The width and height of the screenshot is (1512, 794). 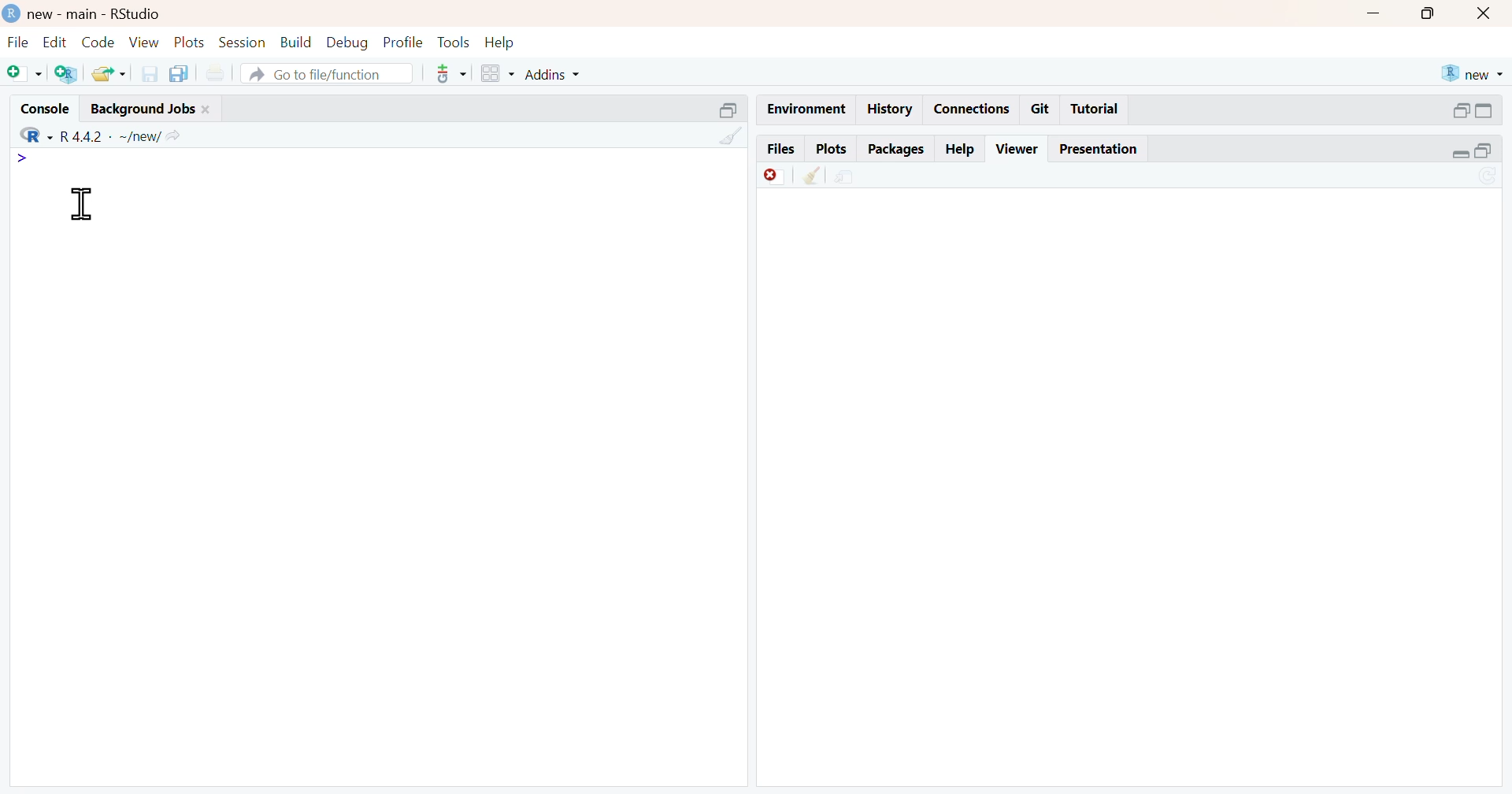 I want to click on show in new window, so click(x=842, y=177).